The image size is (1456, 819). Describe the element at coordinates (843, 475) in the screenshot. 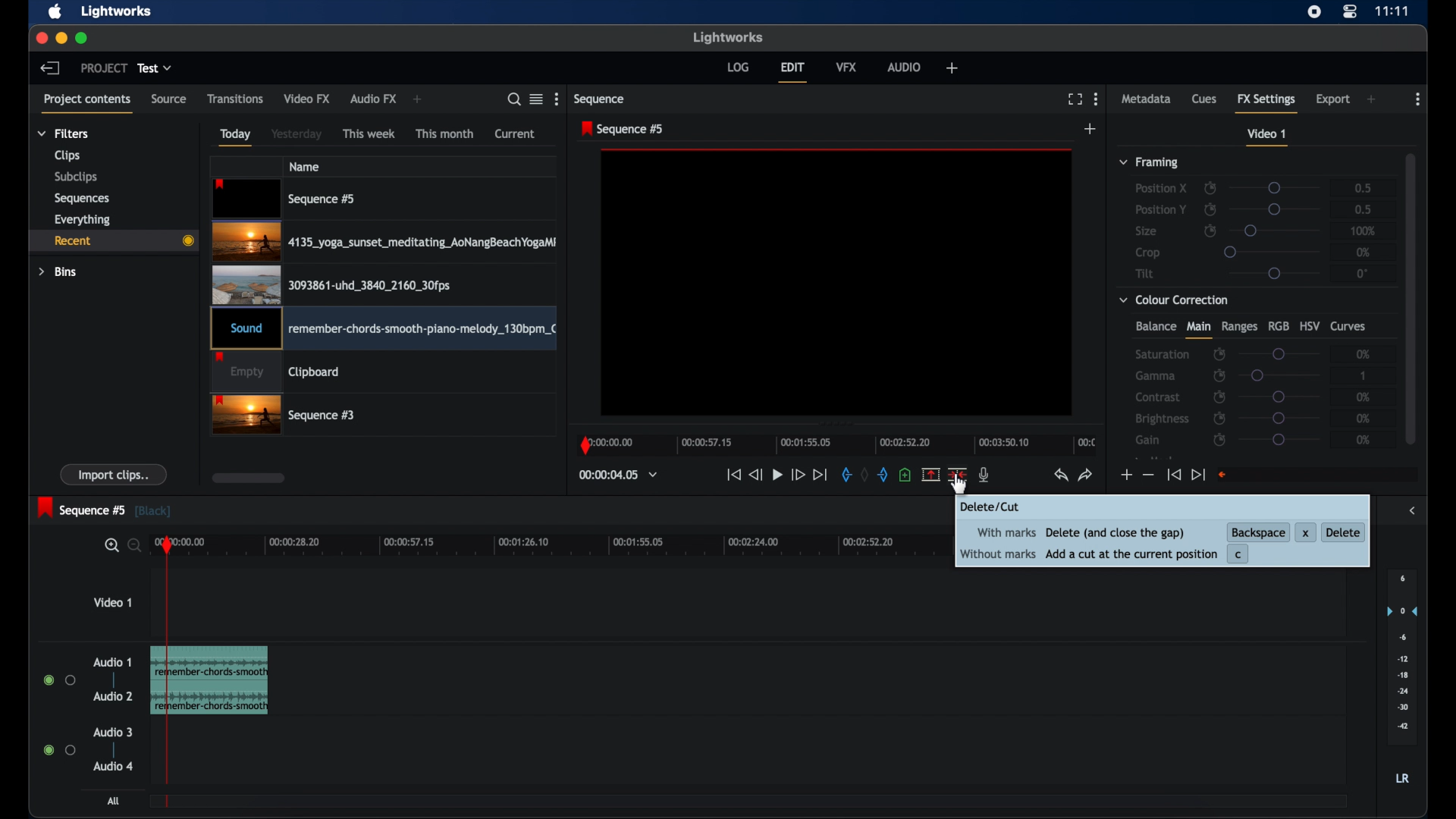

I see `in mark` at that location.